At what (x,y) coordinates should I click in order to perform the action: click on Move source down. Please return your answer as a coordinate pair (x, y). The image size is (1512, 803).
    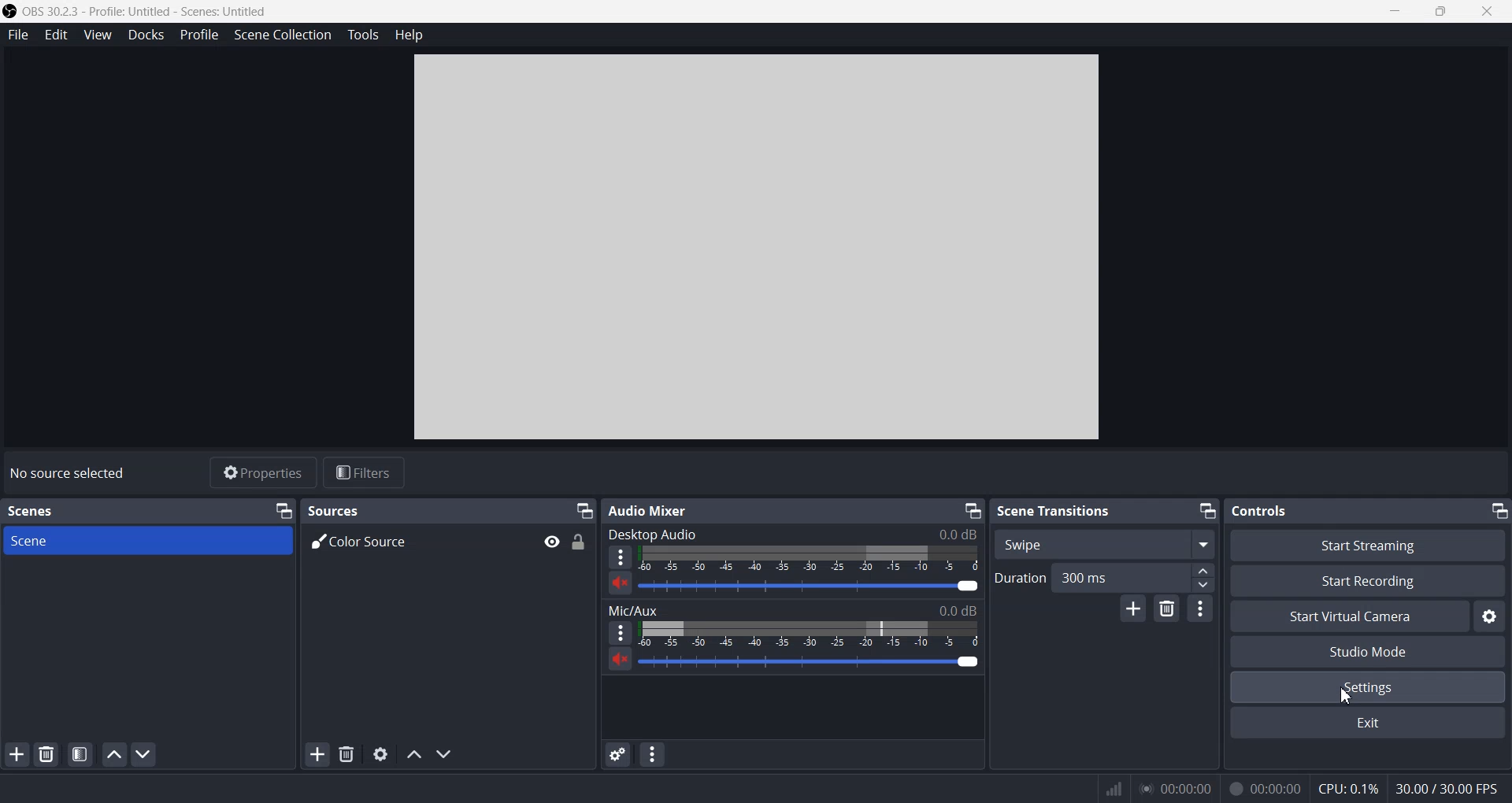
    Looking at the image, I should click on (444, 754).